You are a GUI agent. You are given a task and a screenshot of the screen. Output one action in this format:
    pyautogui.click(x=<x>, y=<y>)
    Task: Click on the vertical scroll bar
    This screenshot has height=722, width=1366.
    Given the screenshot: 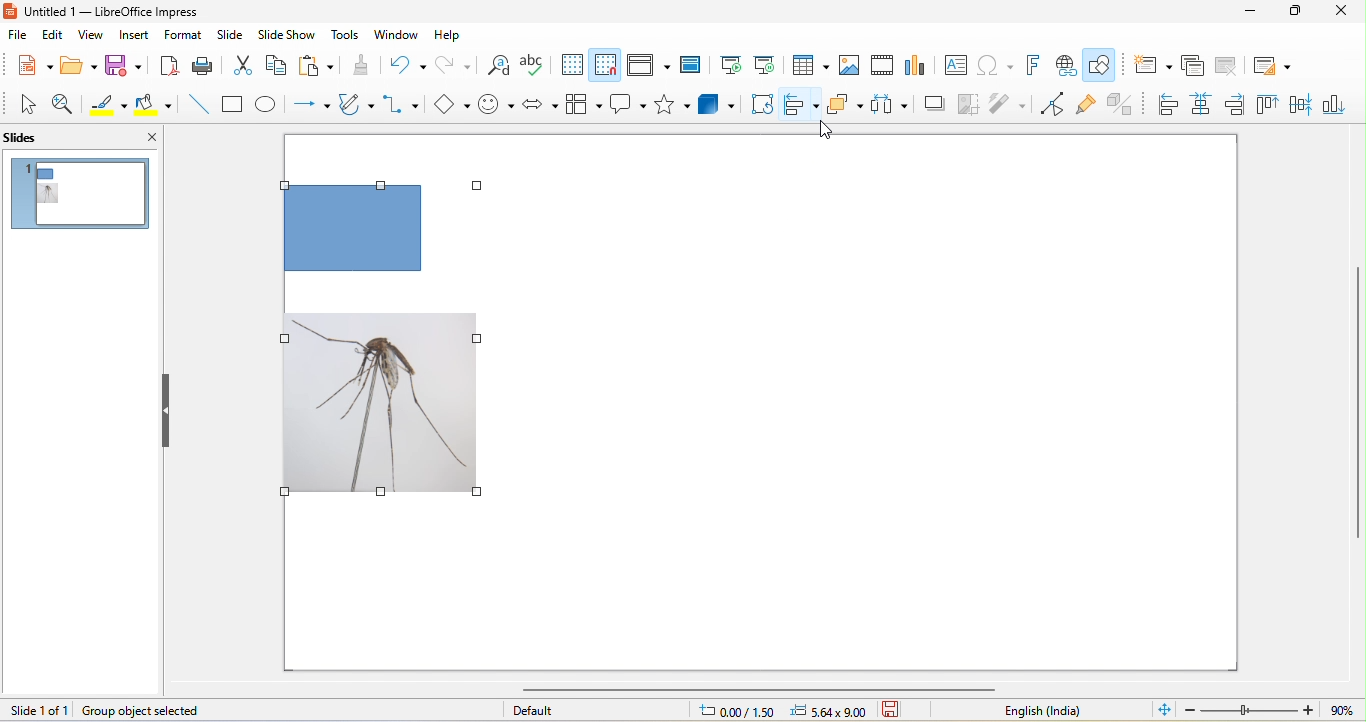 What is the action you would take?
    pyautogui.click(x=1357, y=404)
    